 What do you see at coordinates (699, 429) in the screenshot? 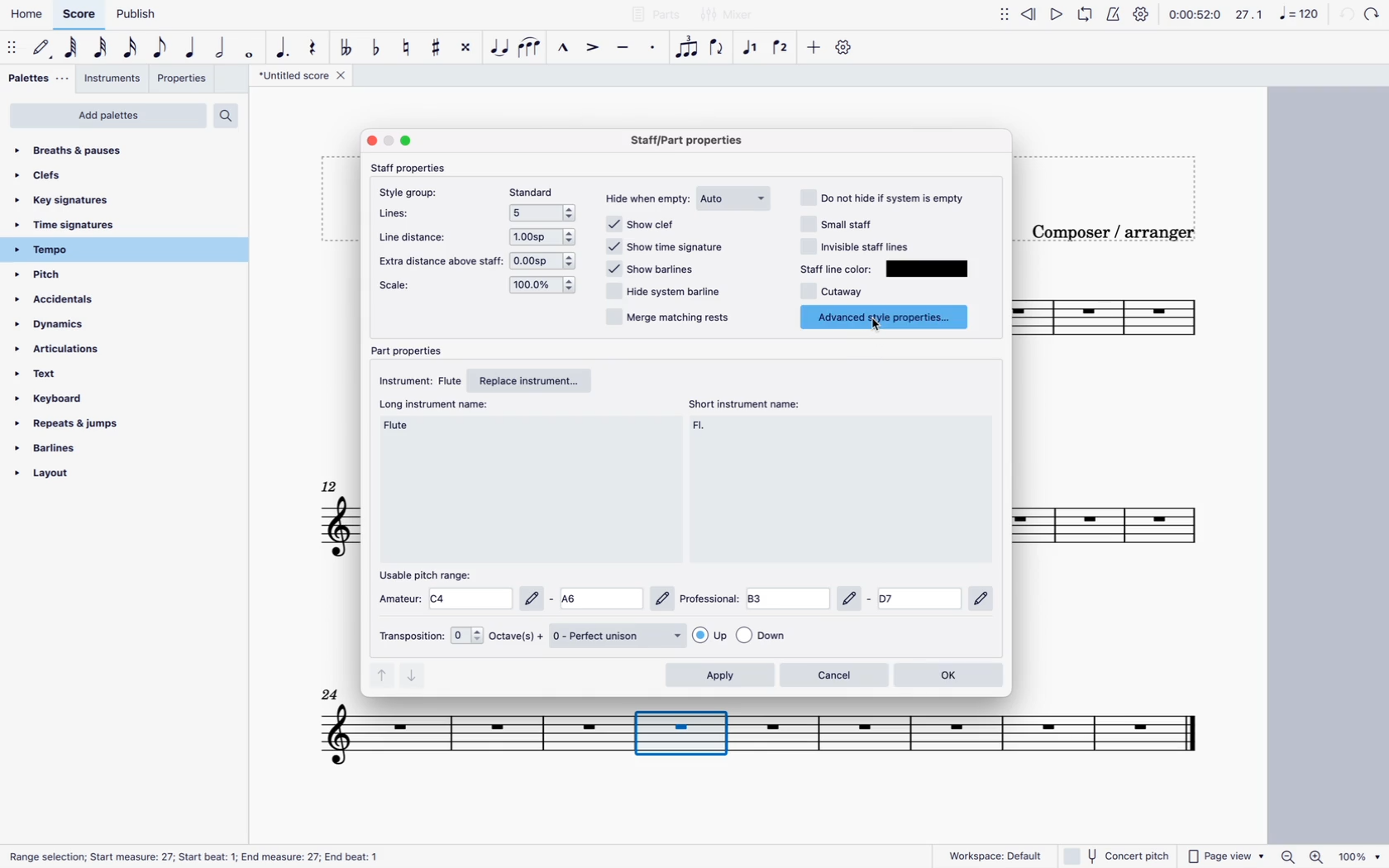
I see `short instrument name` at bounding box center [699, 429].